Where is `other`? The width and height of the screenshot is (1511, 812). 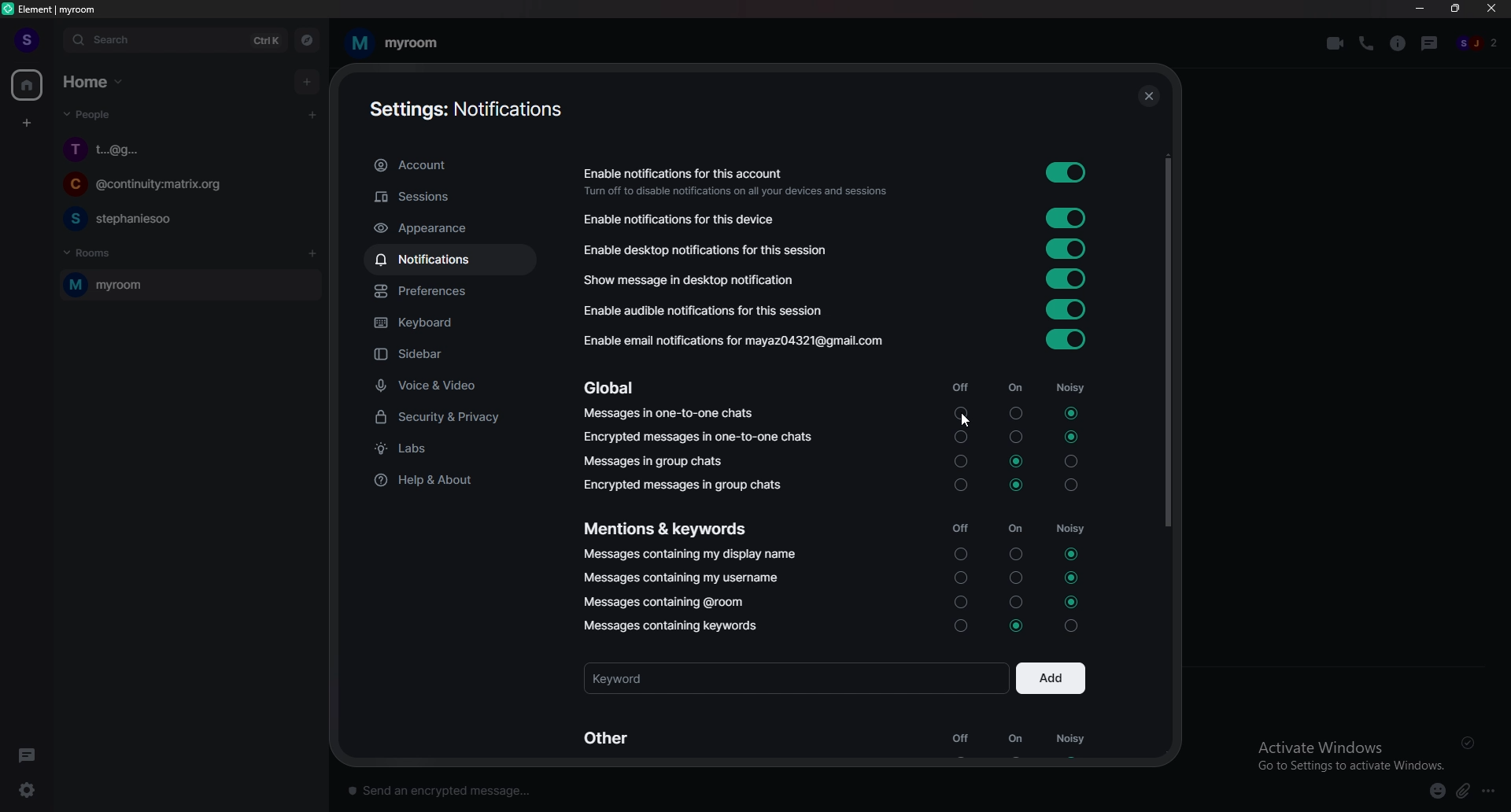 other is located at coordinates (614, 736).